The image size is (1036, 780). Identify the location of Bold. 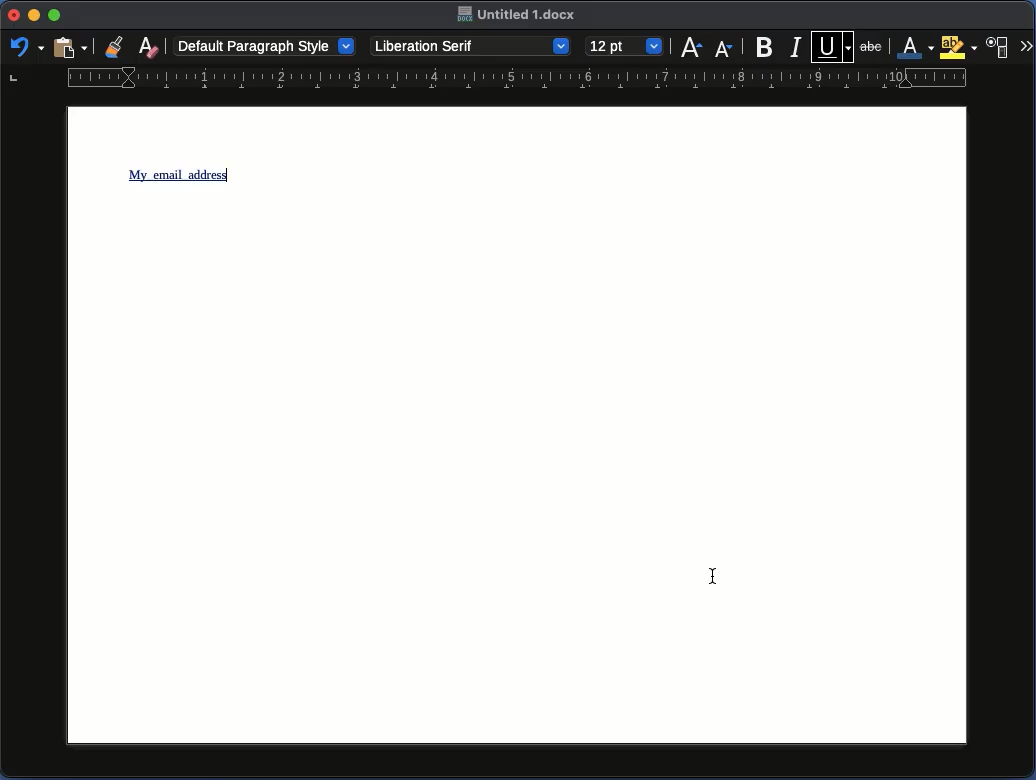
(765, 47).